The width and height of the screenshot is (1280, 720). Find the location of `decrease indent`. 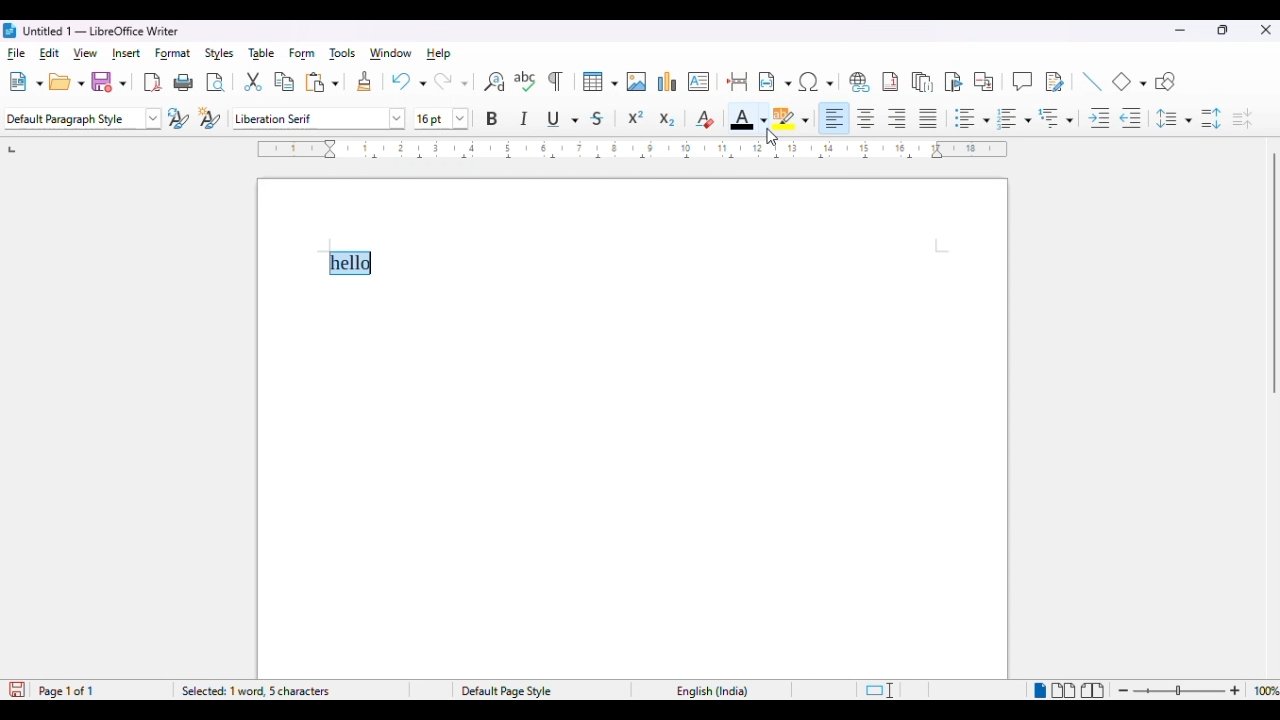

decrease indent is located at coordinates (1132, 119).